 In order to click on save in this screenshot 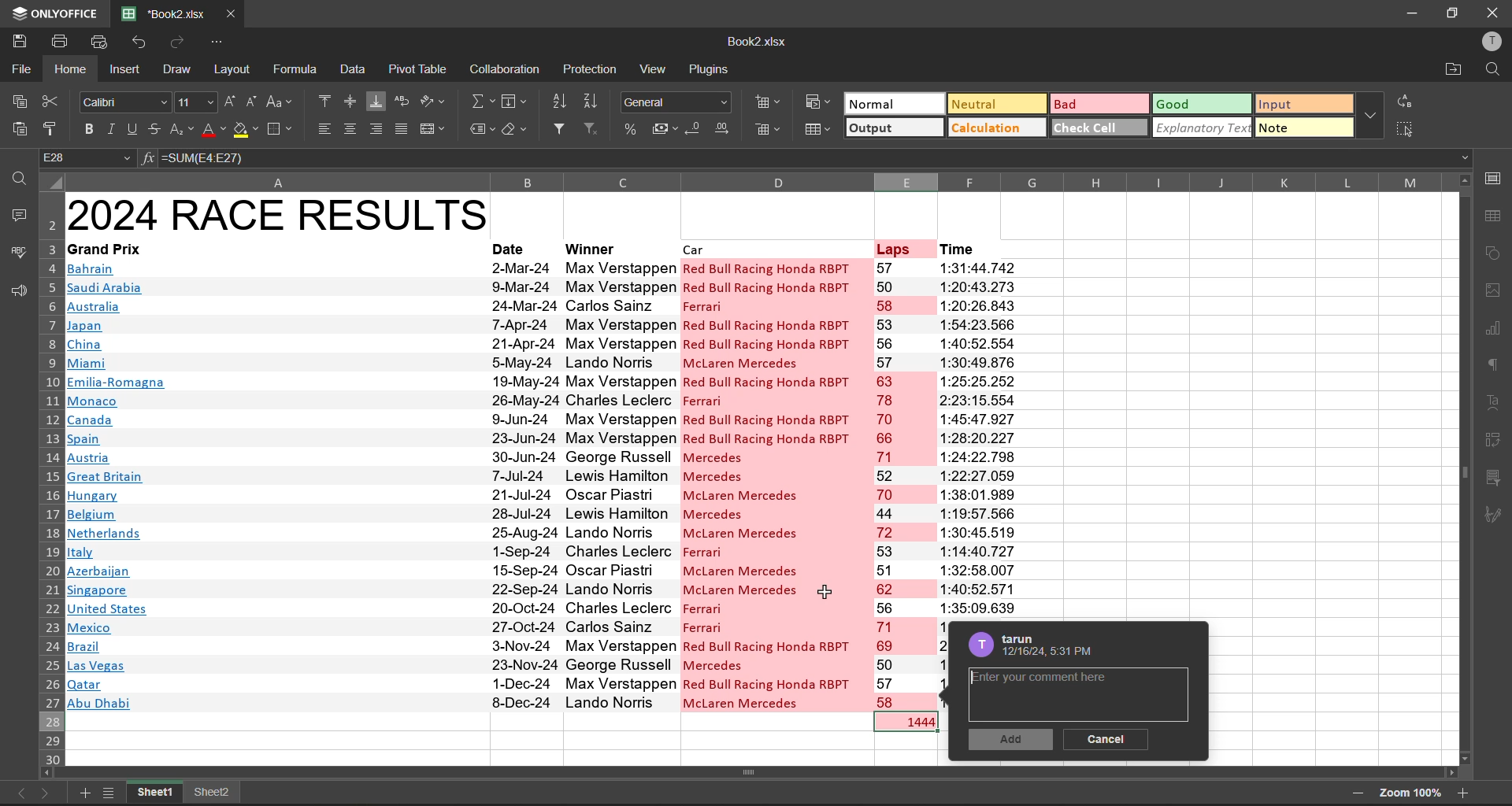, I will do `click(20, 41)`.